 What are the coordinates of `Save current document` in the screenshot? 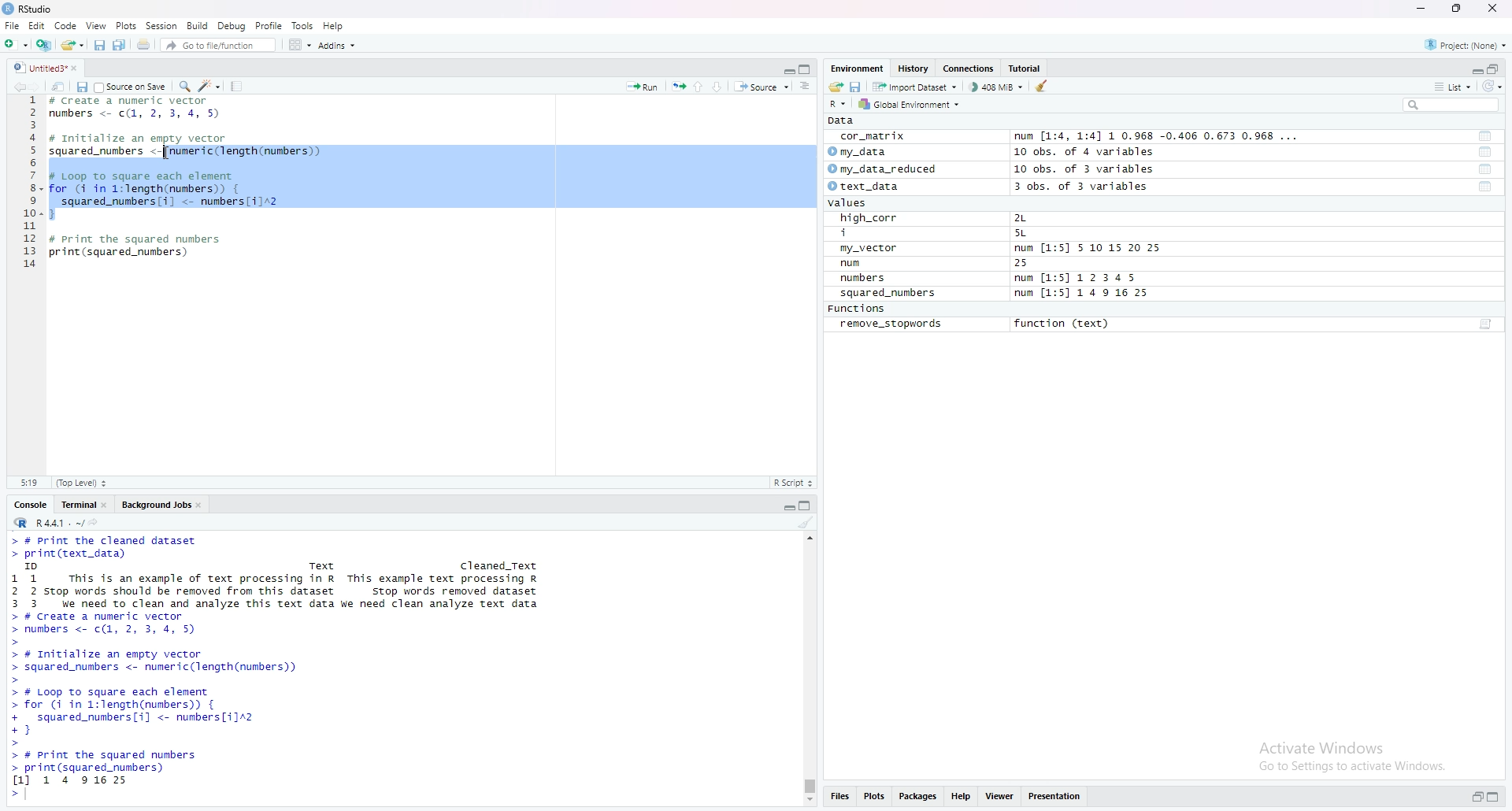 It's located at (99, 43).